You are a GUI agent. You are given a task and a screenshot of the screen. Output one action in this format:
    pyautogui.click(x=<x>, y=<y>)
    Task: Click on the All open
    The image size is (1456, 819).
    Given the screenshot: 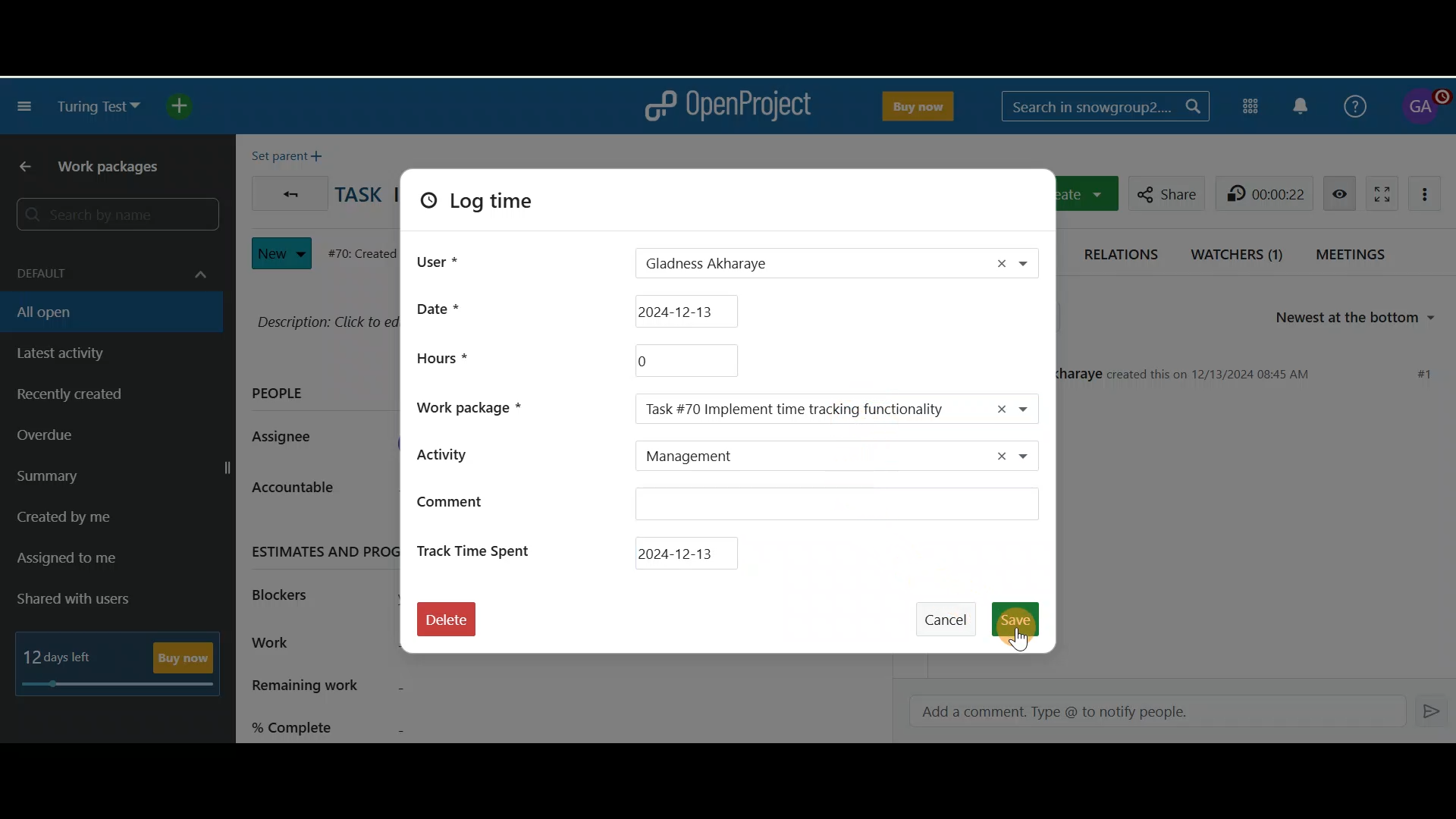 What is the action you would take?
    pyautogui.click(x=101, y=311)
    